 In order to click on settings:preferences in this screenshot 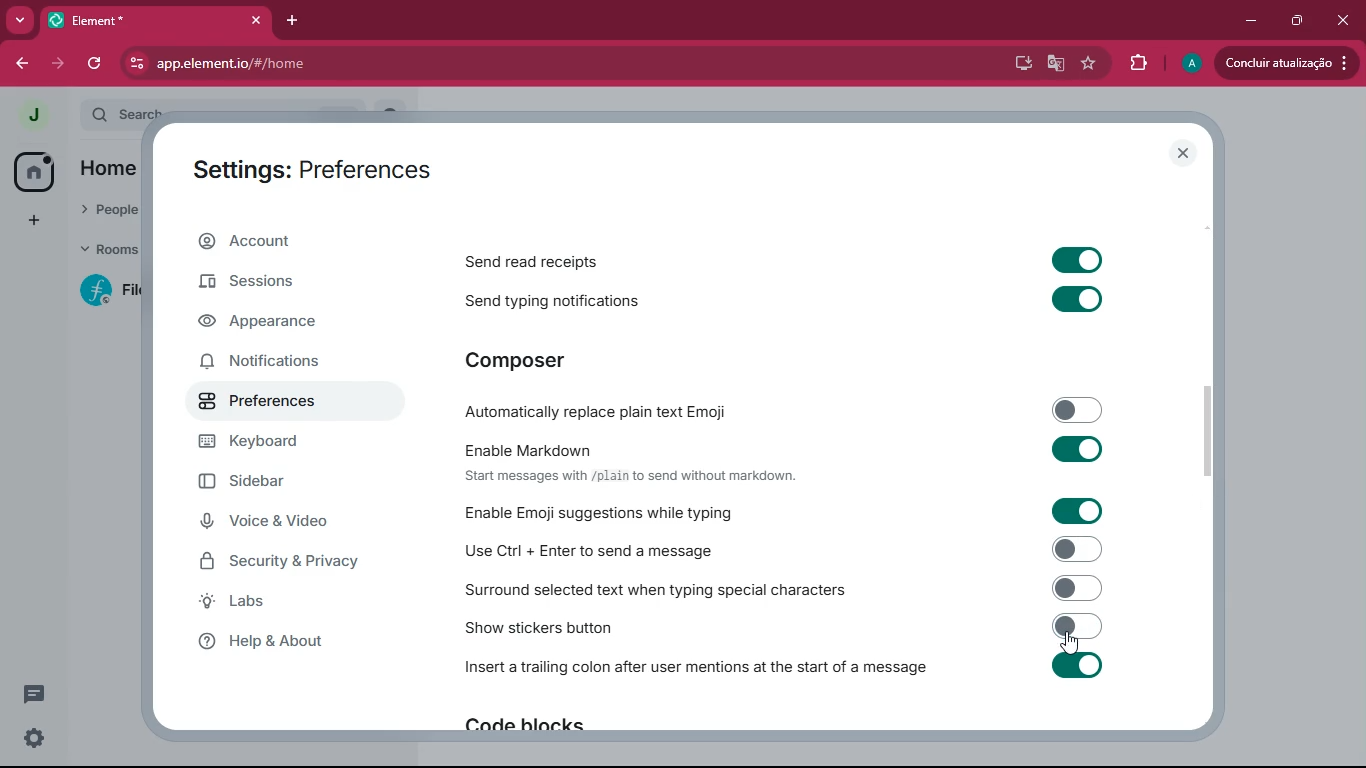, I will do `click(323, 165)`.